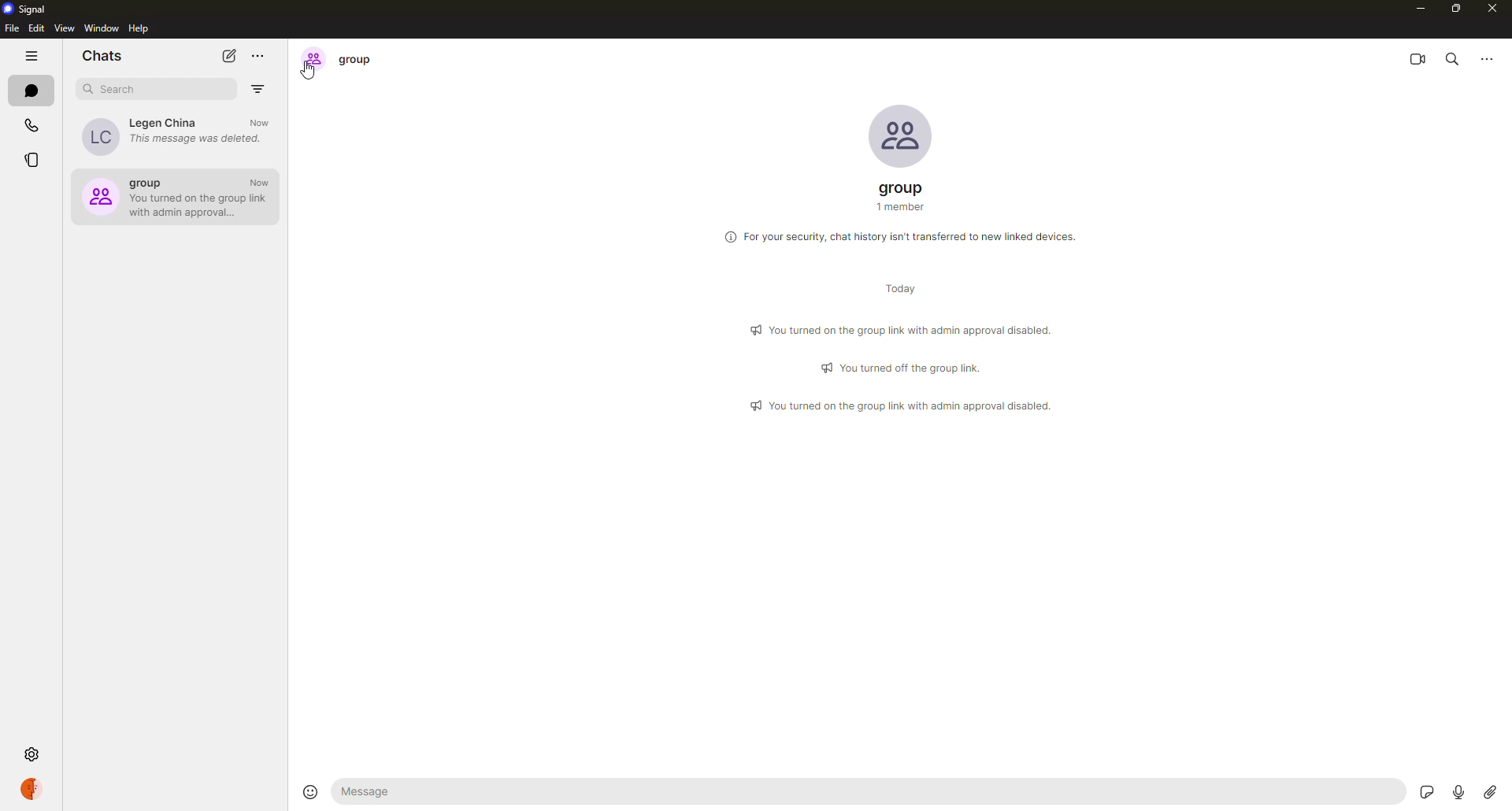  Describe the element at coordinates (33, 91) in the screenshot. I see `chats` at that location.